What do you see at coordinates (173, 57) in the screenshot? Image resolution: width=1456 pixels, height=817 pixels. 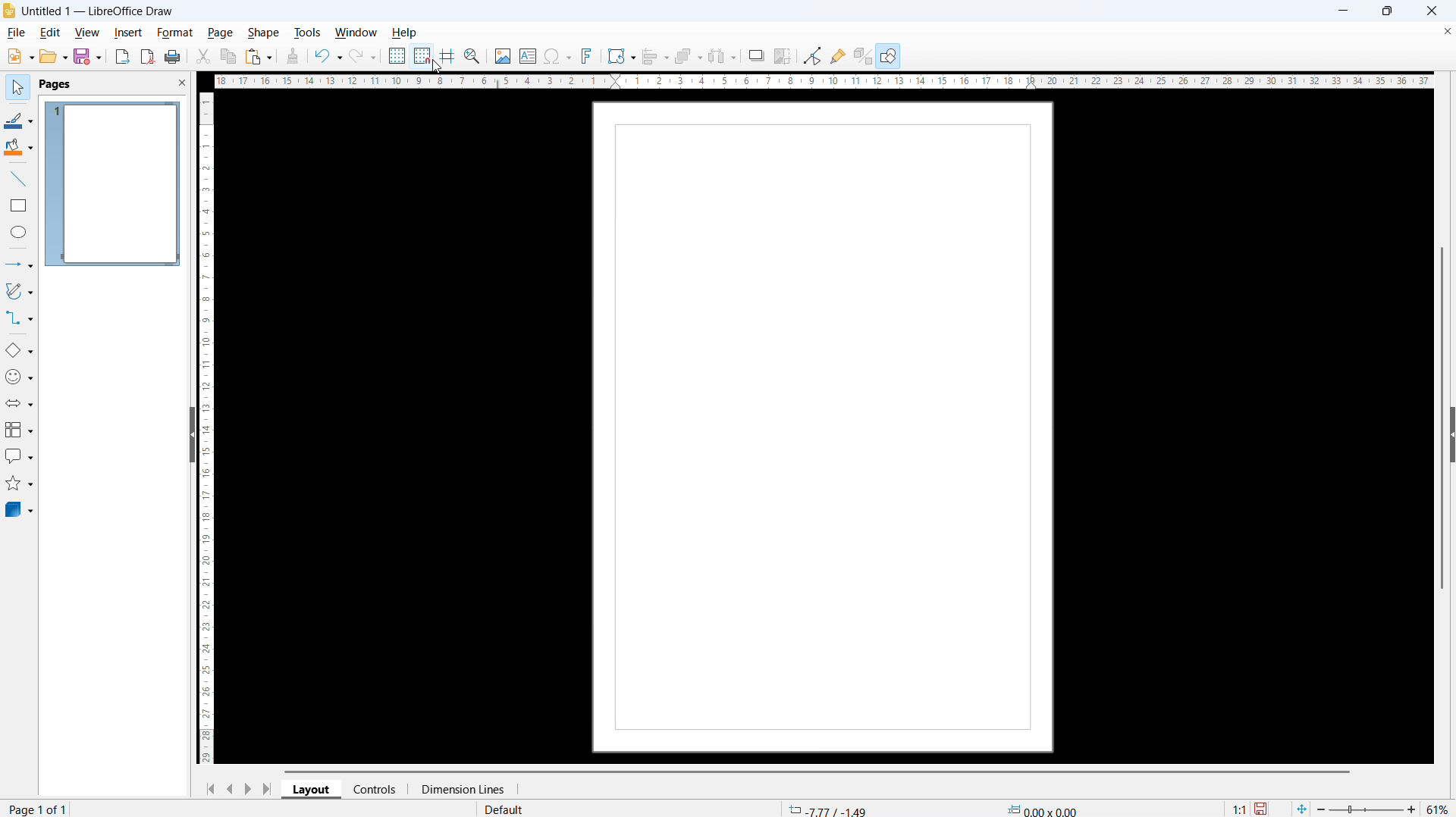 I see `print ` at bounding box center [173, 57].